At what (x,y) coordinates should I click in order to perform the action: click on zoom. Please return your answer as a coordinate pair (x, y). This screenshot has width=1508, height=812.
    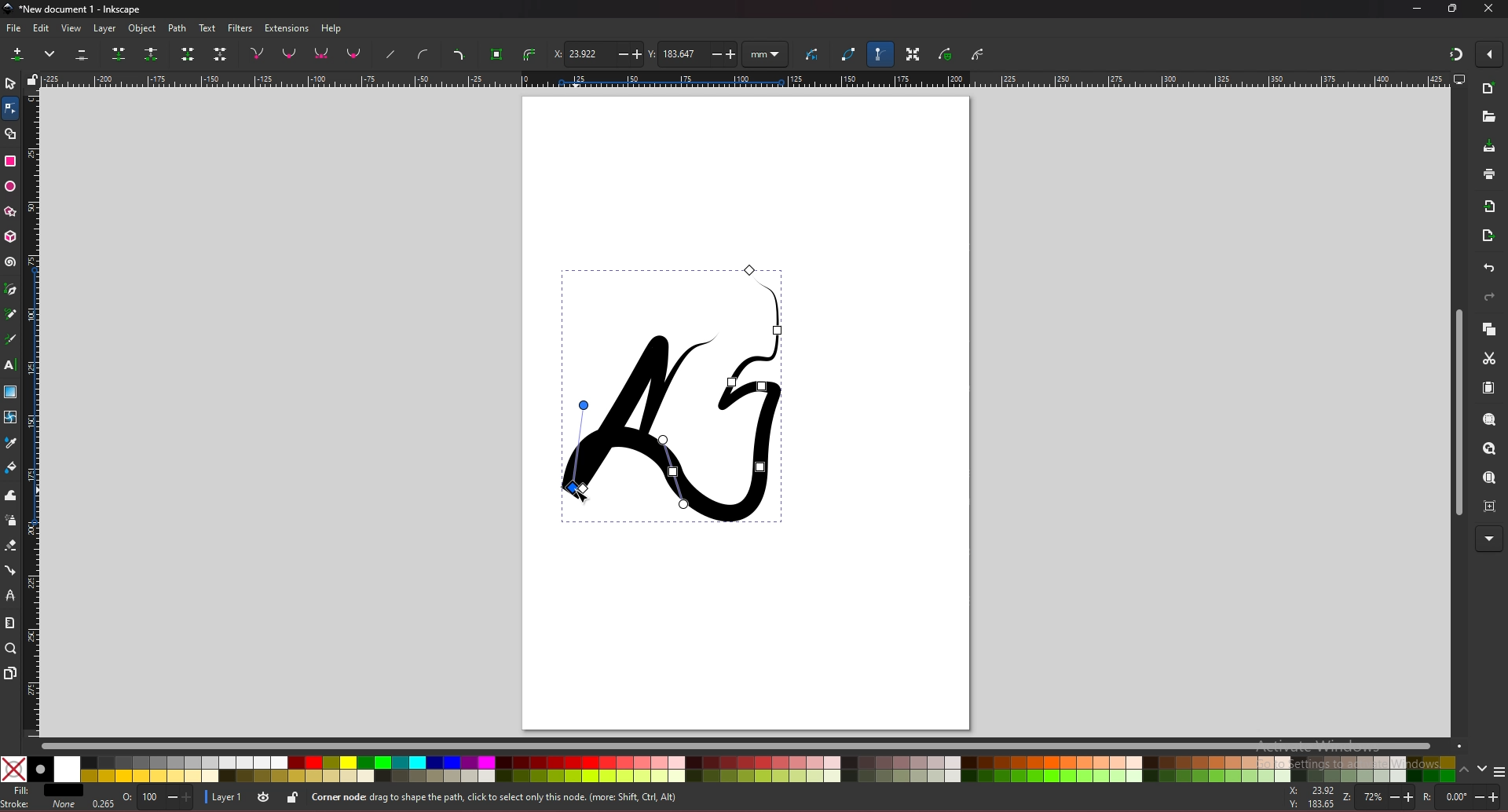
    Looking at the image, I should click on (10, 649).